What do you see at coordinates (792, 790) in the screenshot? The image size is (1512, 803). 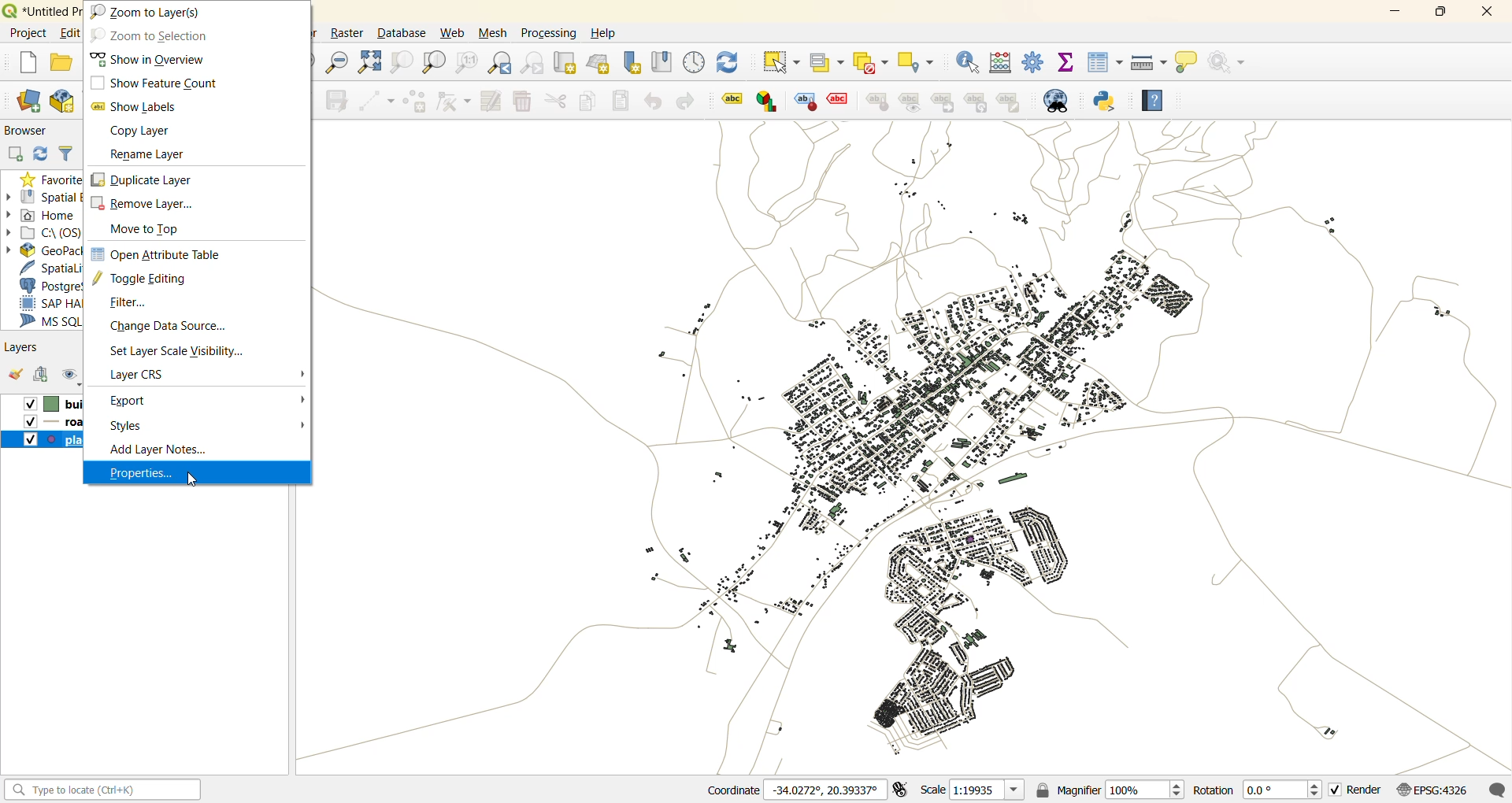 I see `coordinates` at bounding box center [792, 790].